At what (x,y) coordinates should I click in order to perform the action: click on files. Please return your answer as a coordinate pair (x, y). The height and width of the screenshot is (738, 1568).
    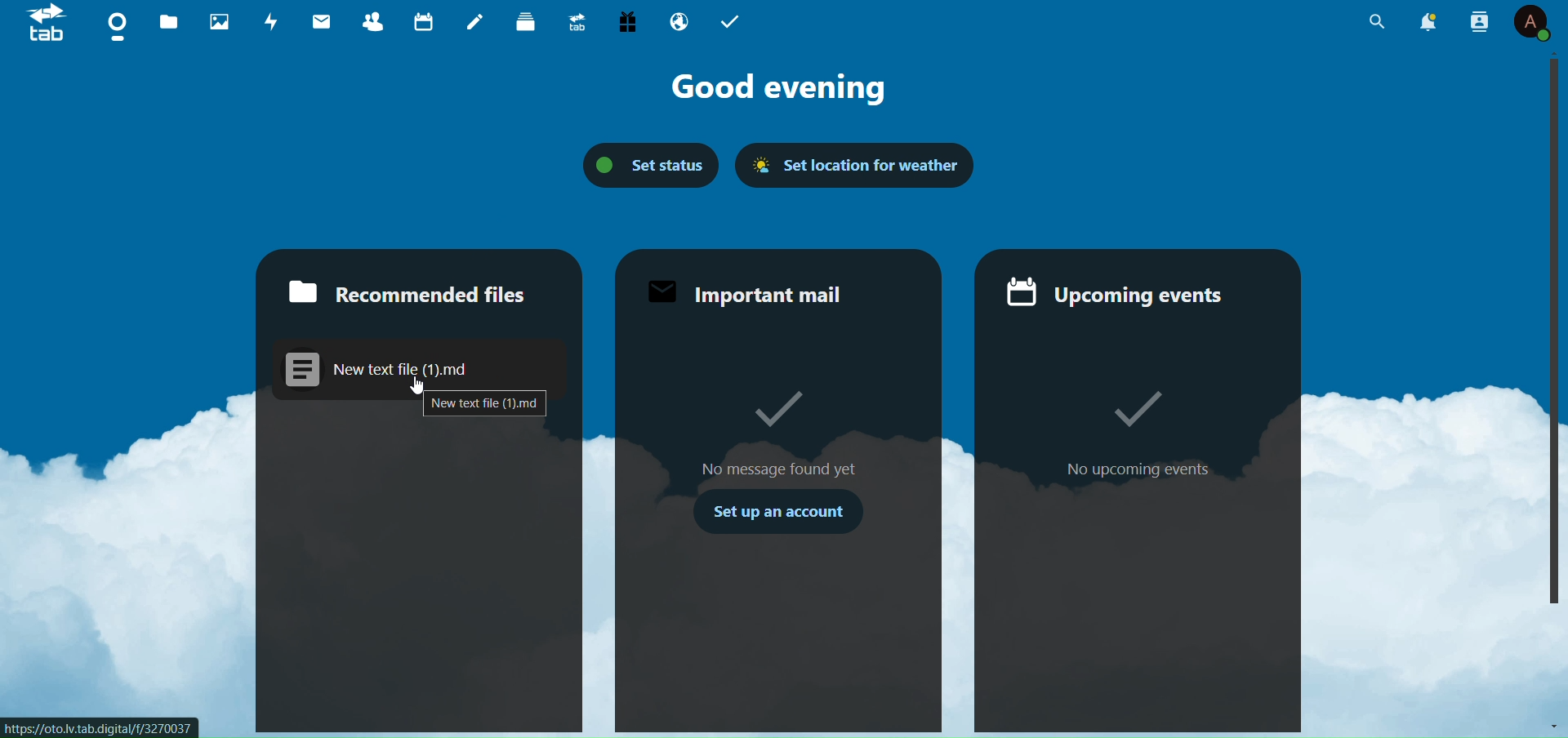
    Looking at the image, I should click on (168, 24).